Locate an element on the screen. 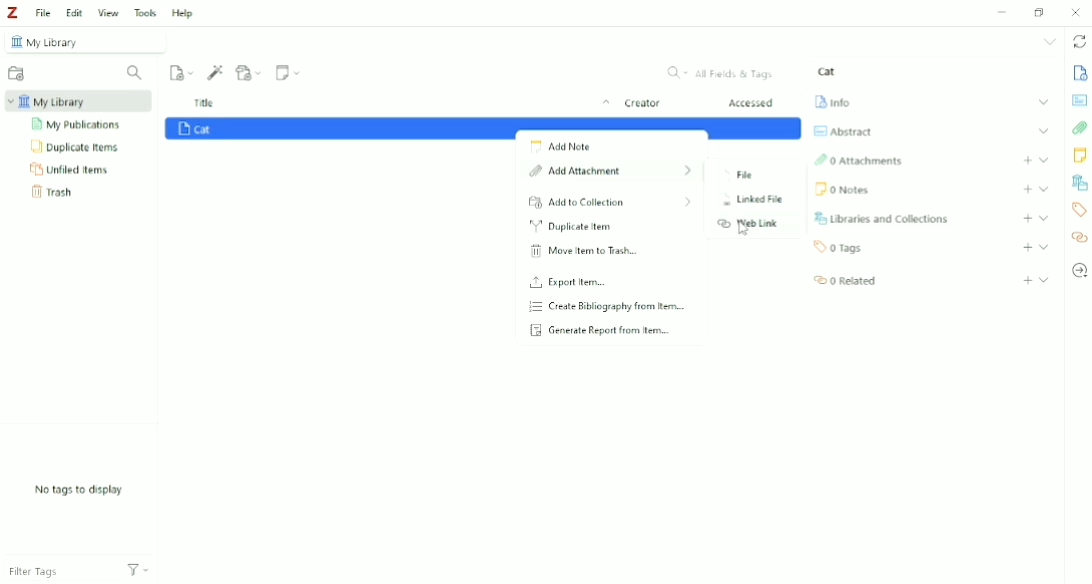 The width and height of the screenshot is (1092, 584). Add is located at coordinates (1027, 218).